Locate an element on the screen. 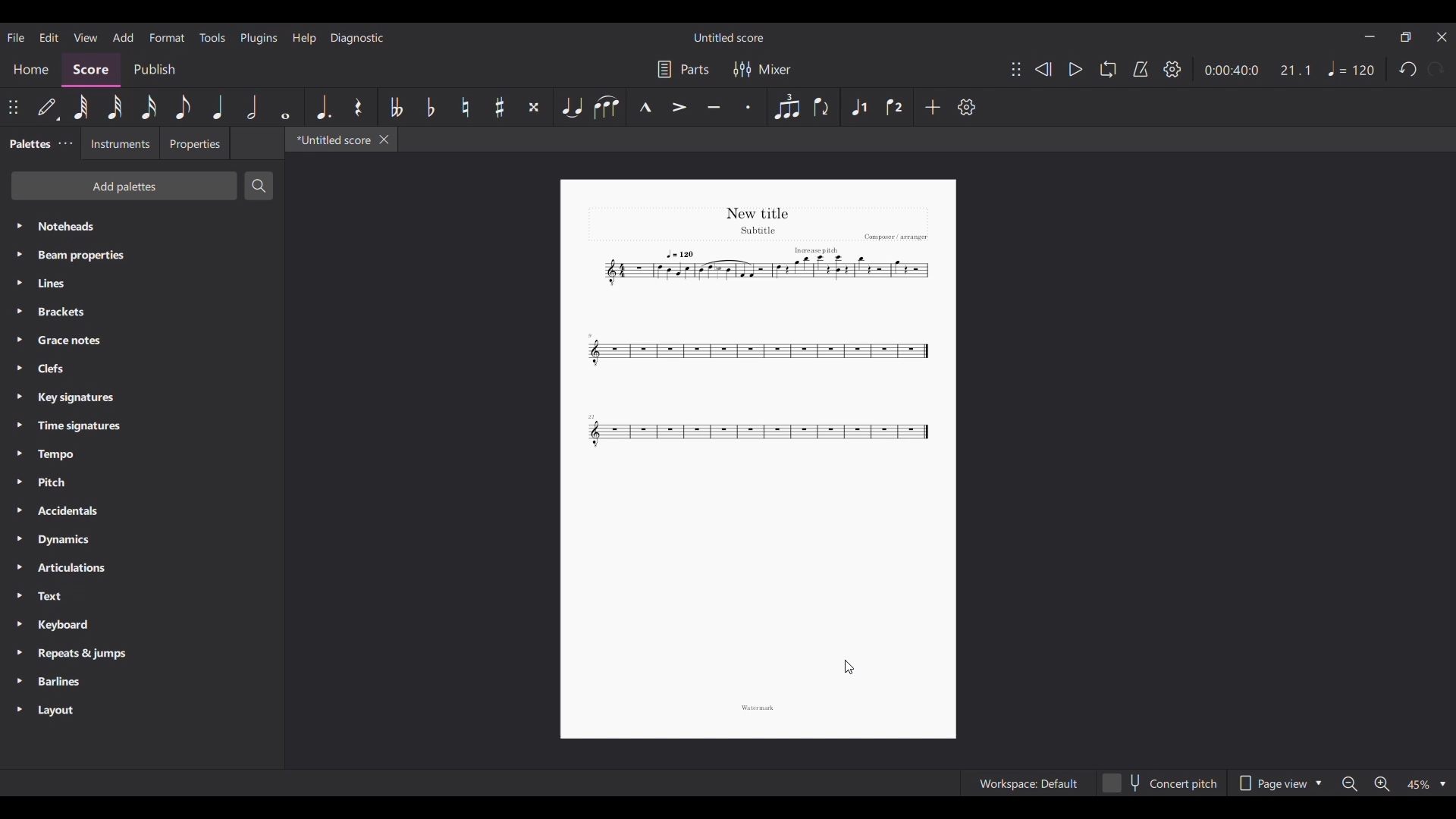 This screenshot has width=1456, height=819. Diagnostic menu is located at coordinates (357, 38).